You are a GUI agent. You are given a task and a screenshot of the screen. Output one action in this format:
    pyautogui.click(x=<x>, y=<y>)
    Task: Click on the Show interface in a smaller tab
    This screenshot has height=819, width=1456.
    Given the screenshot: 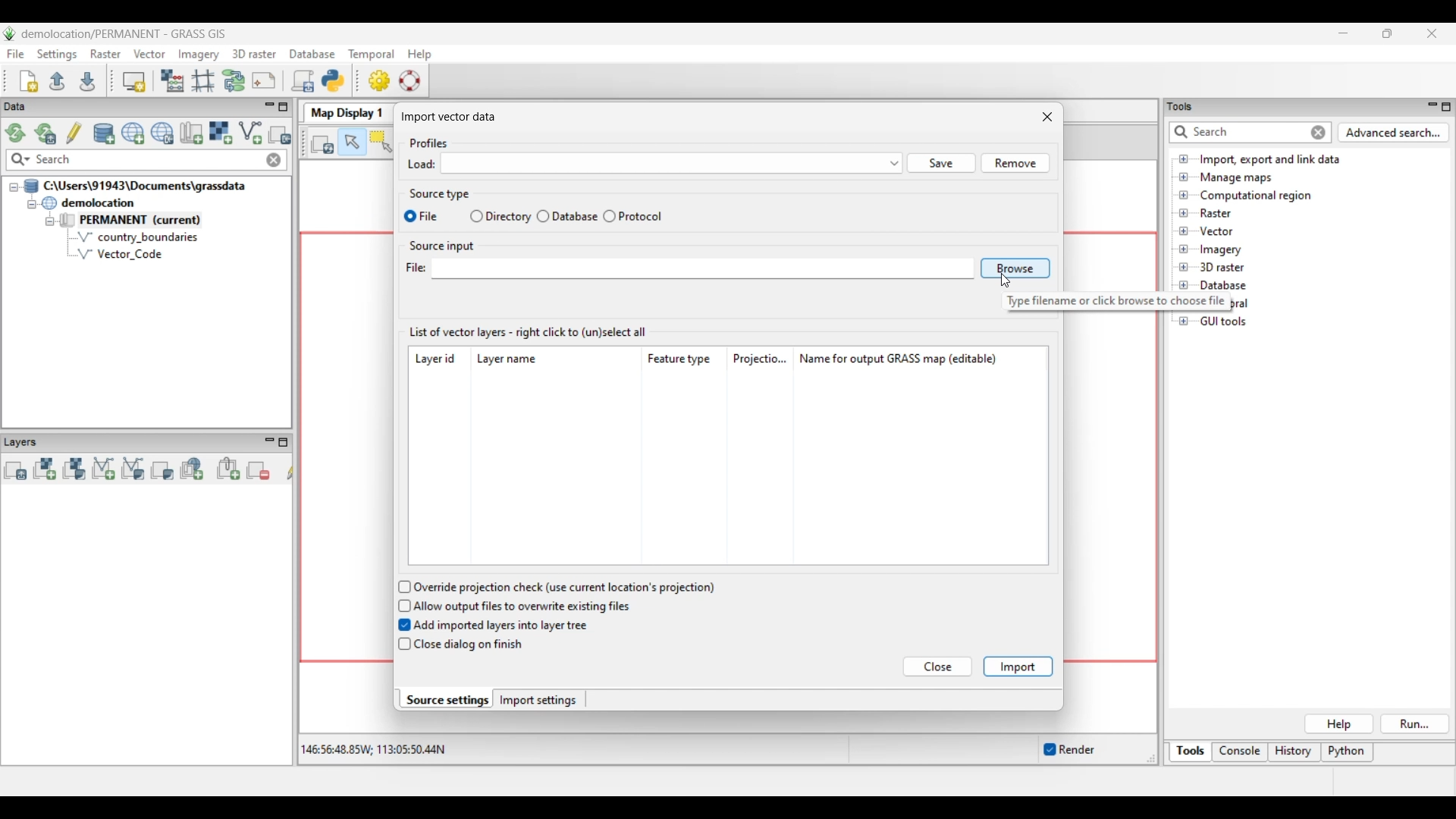 What is the action you would take?
    pyautogui.click(x=1387, y=33)
    